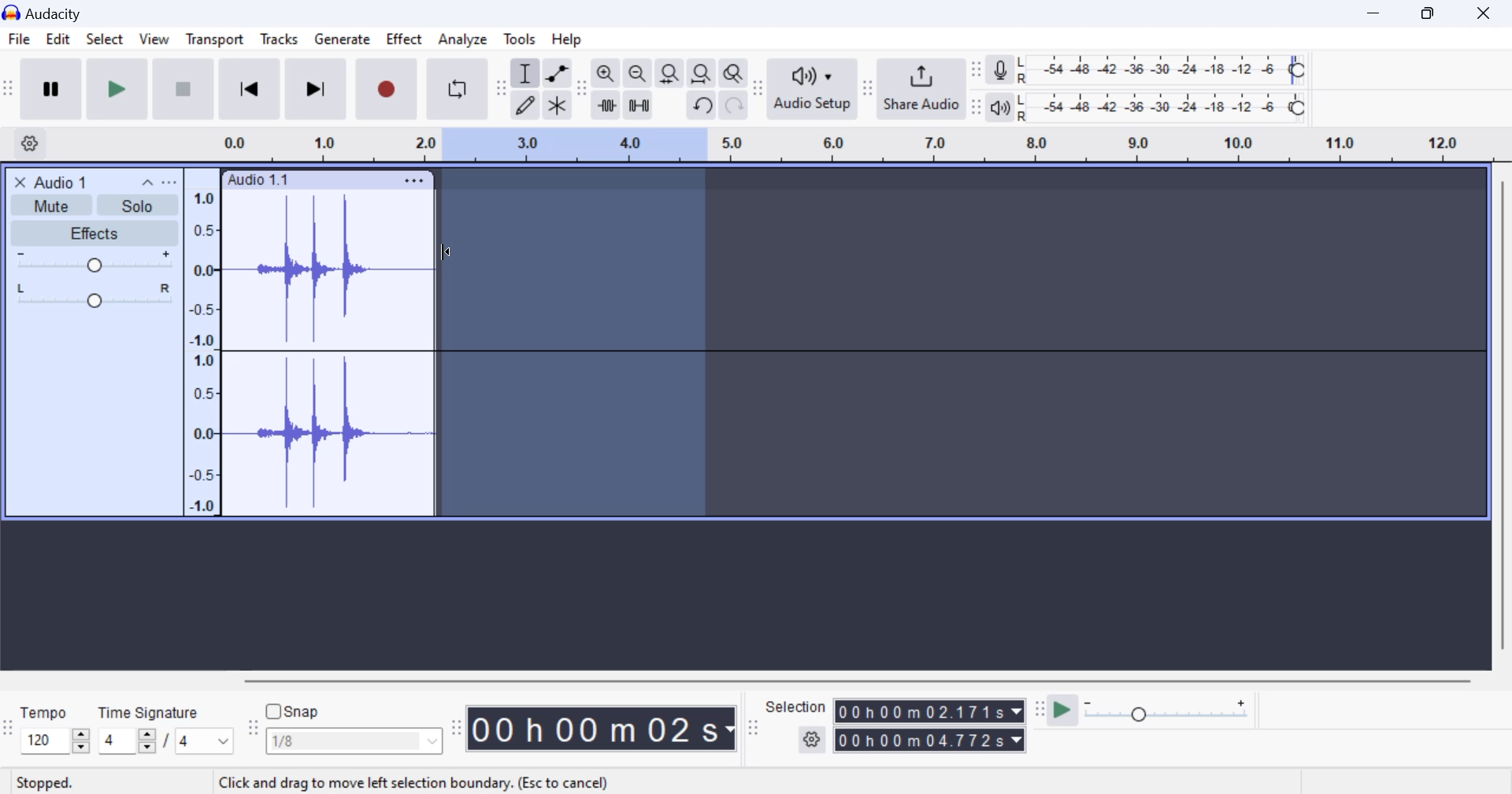 This screenshot has height=794, width=1512. Describe the element at coordinates (977, 88) in the screenshot. I see `Change position of respective level` at that location.